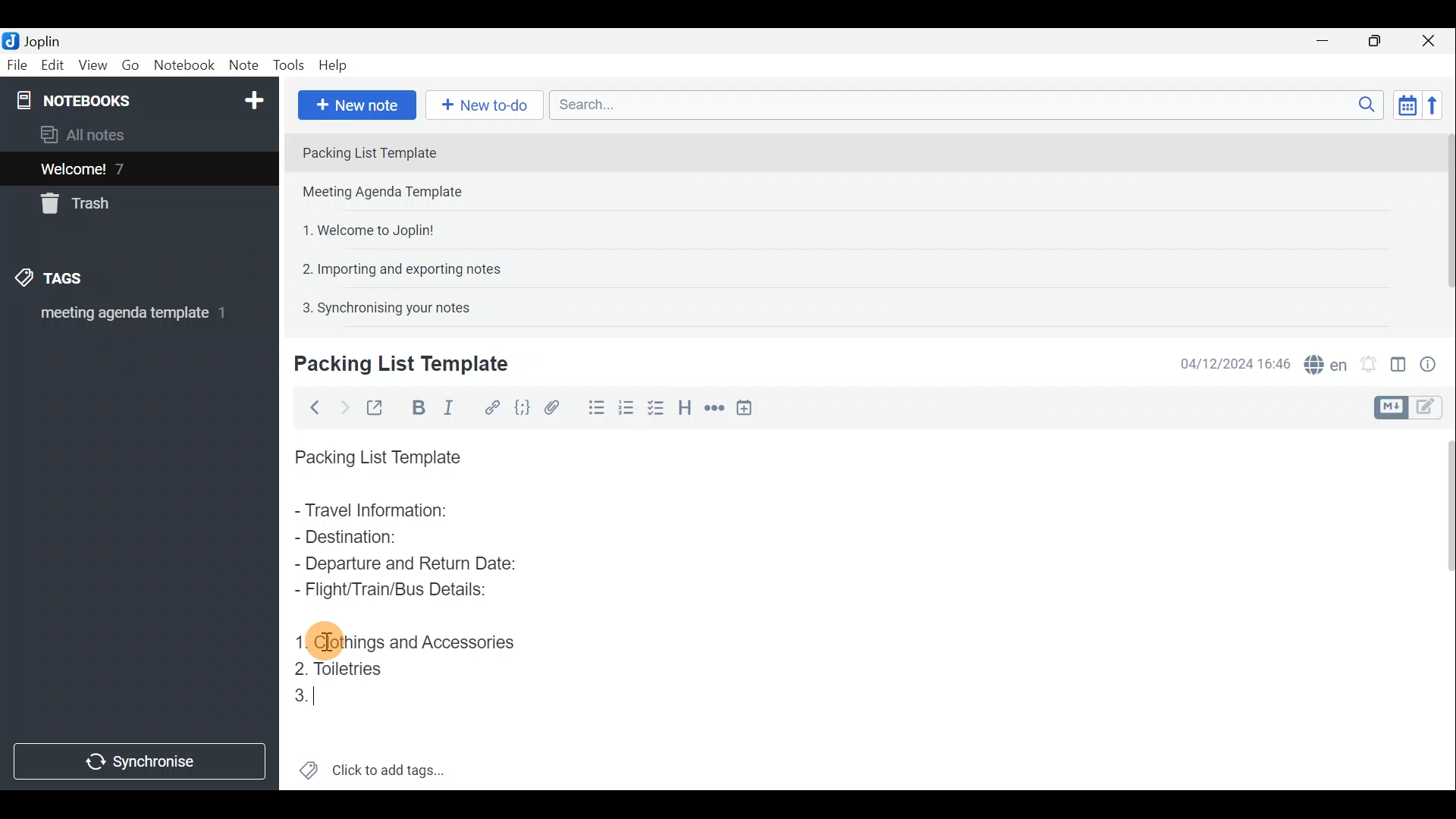 Image resolution: width=1456 pixels, height=819 pixels. What do you see at coordinates (308, 696) in the screenshot?
I see `Cursor` at bounding box center [308, 696].